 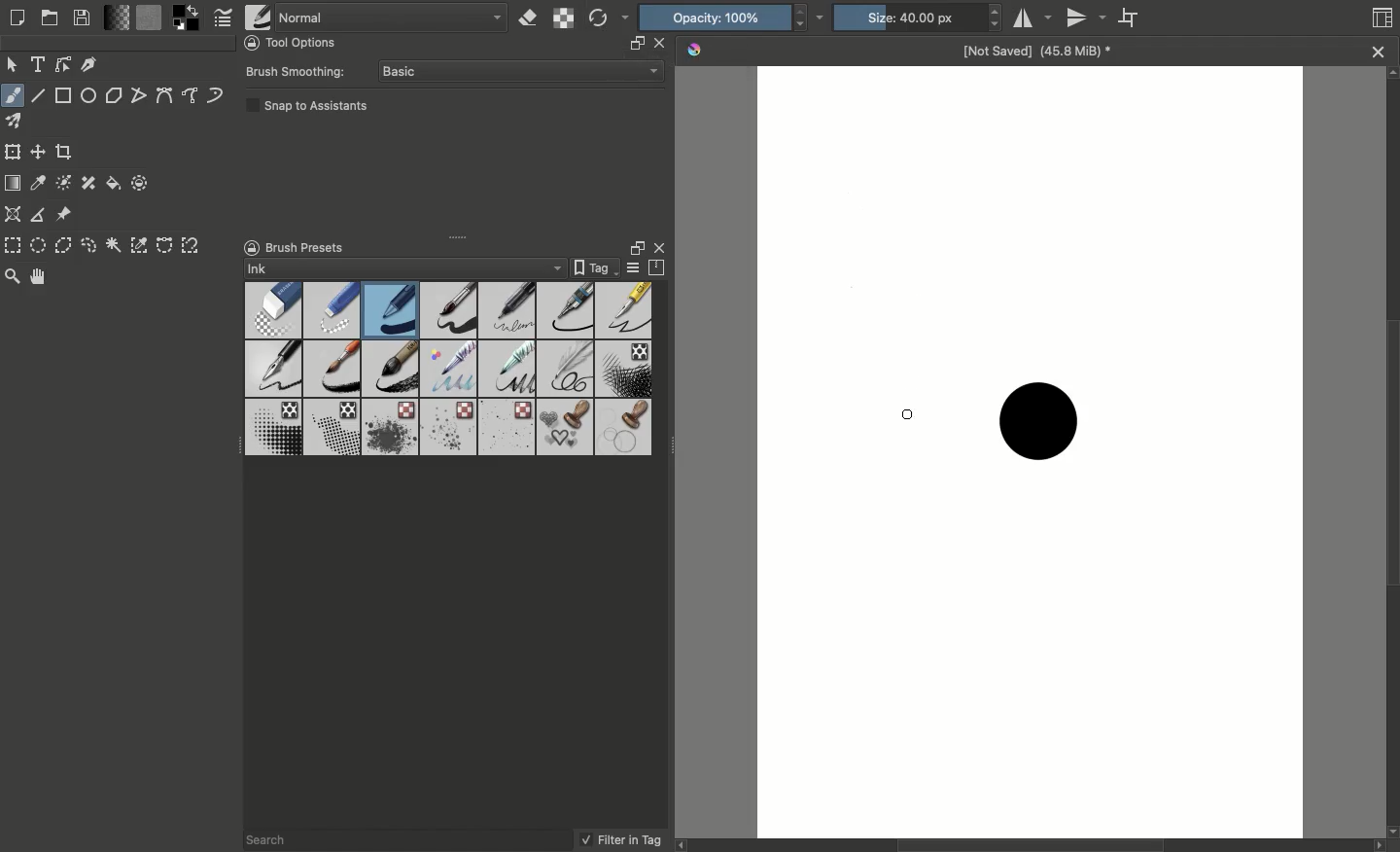 I want to click on Basic, so click(x=520, y=73).